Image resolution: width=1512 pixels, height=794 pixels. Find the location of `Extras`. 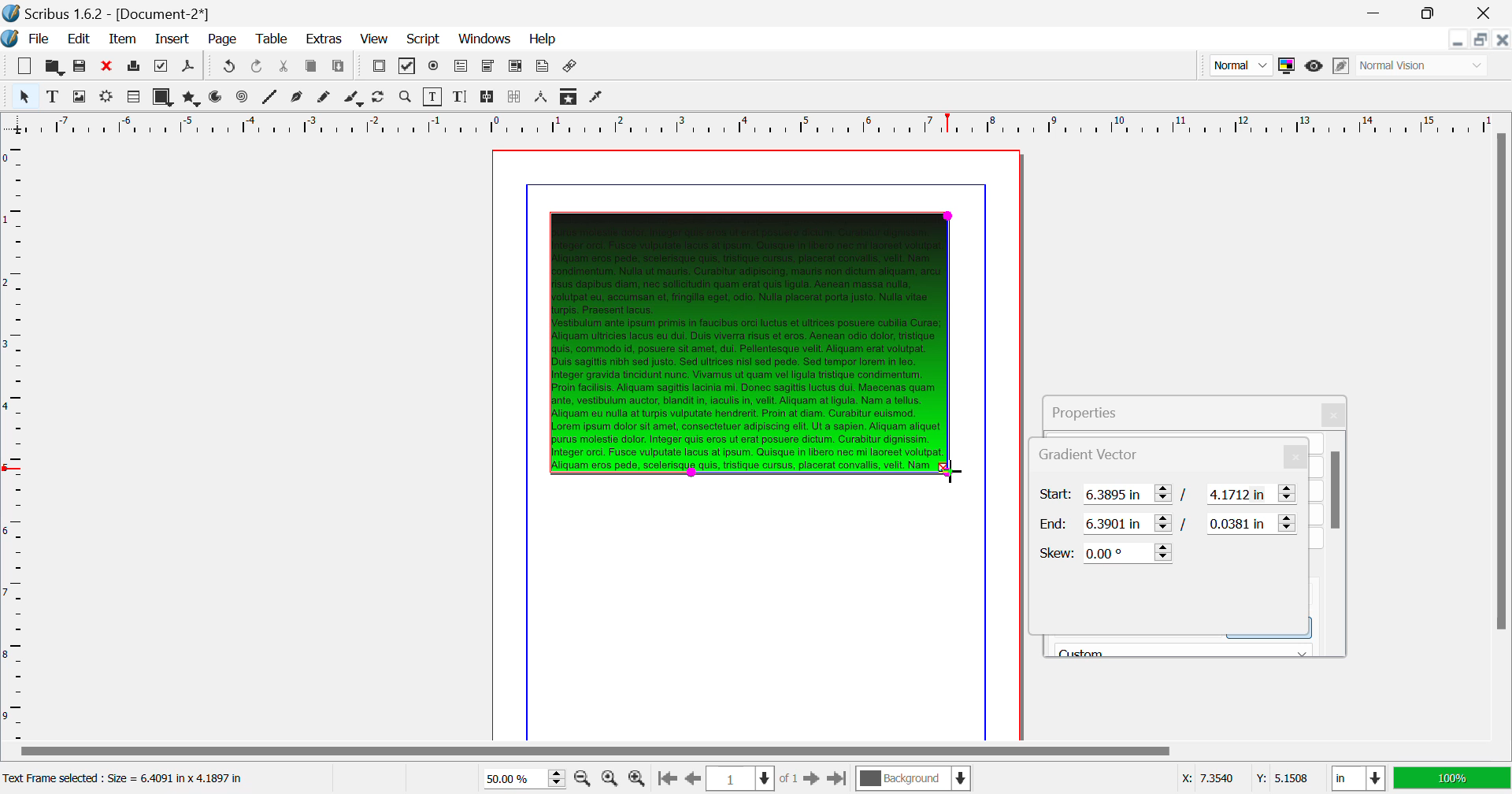

Extras is located at coordinates (322, 39).